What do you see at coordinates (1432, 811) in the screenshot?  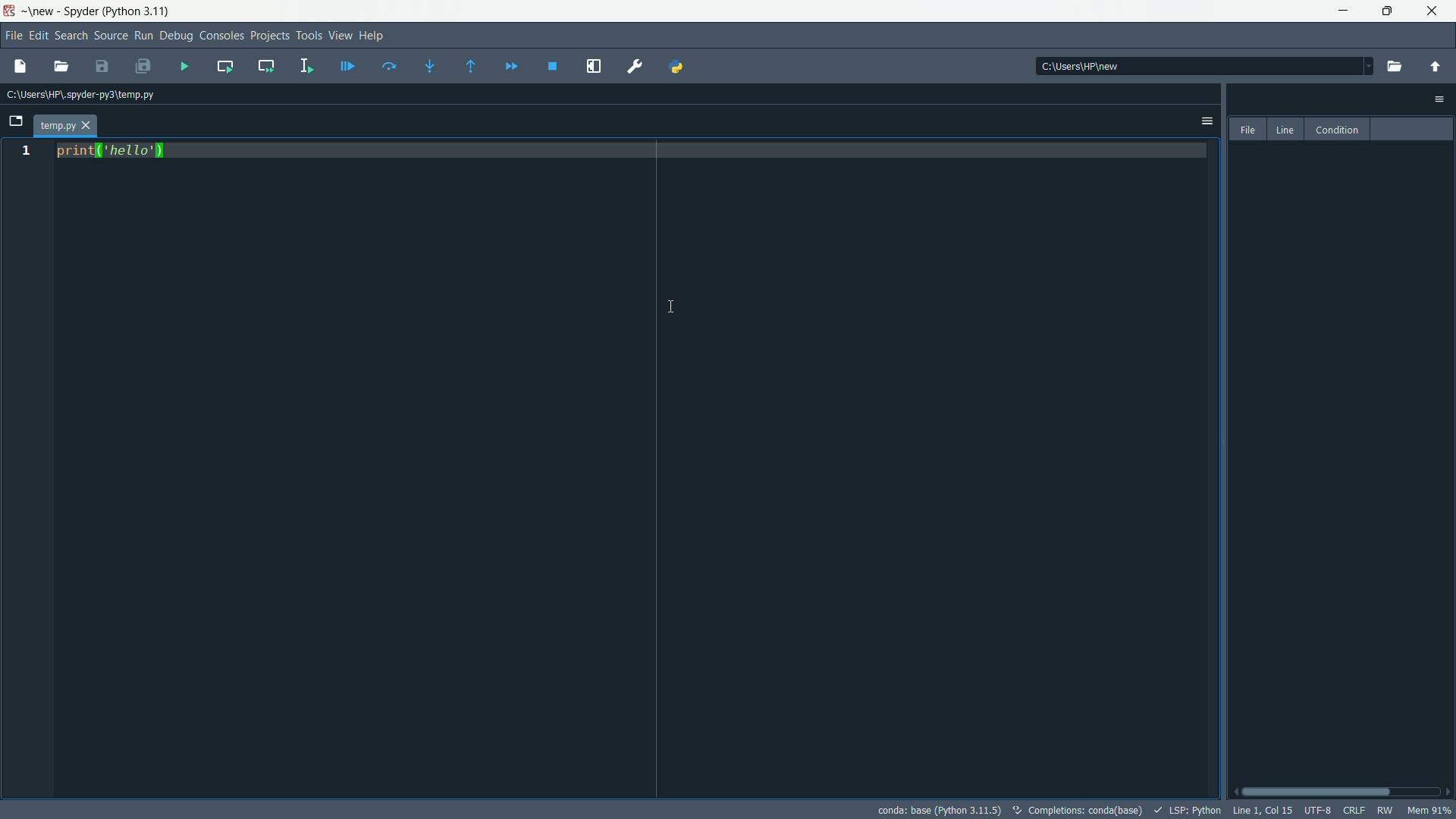 I see `mem 90%` at bounding box center [1432, 811].